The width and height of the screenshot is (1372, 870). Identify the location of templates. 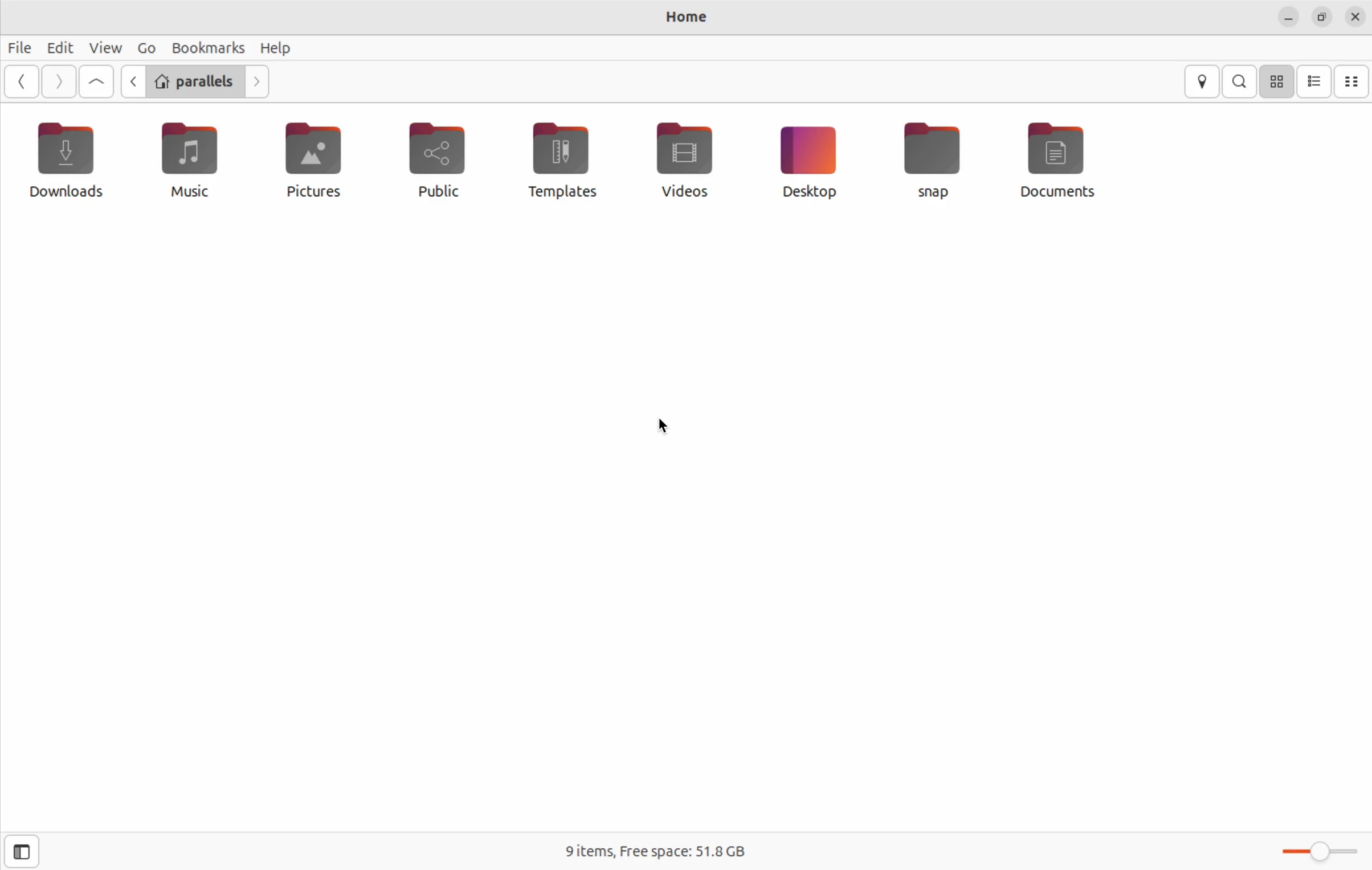
(568, 162).